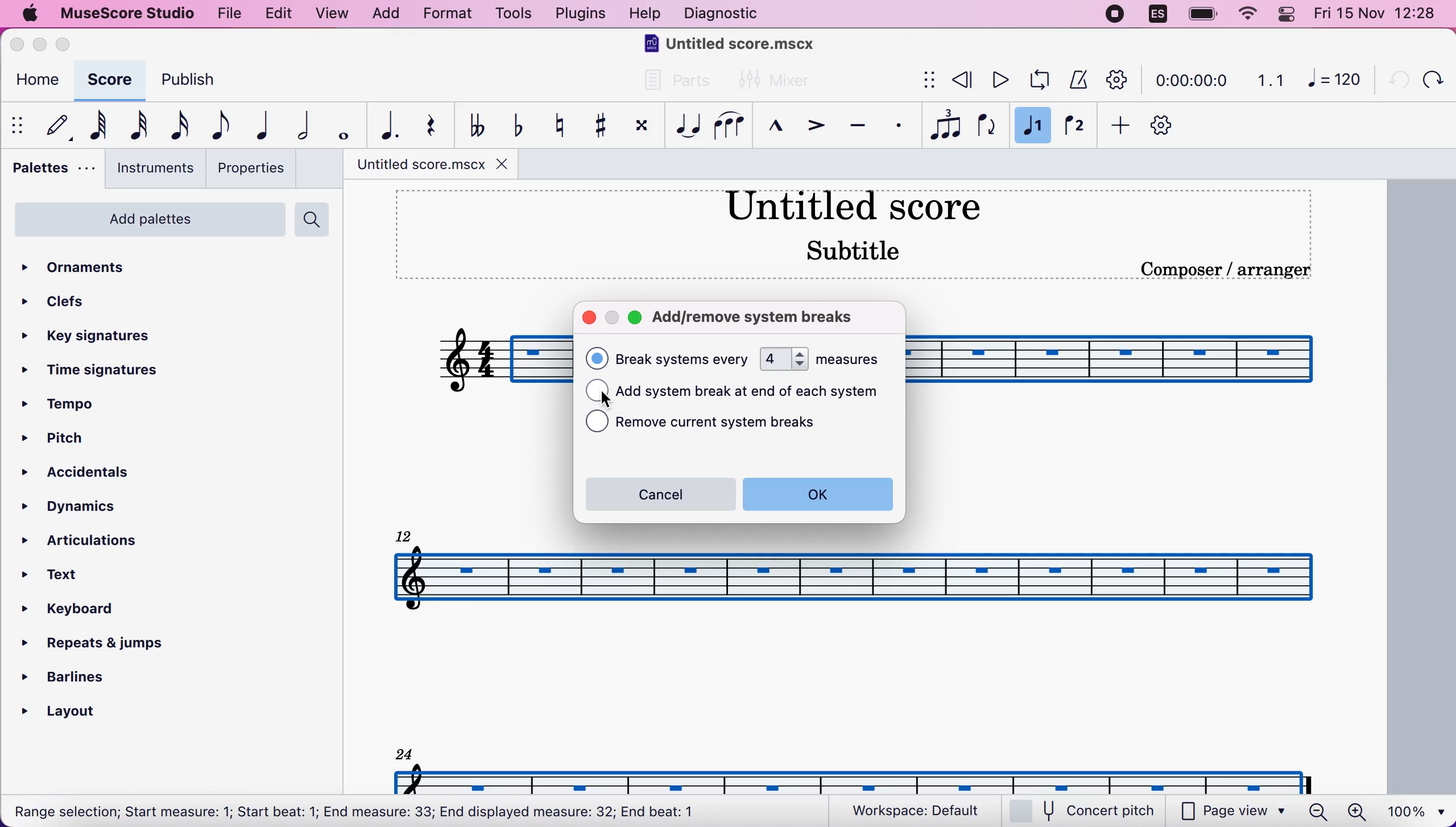  Describe the element at coordinates (1271, 80) in the screenshot. I see `1.1` at that location.